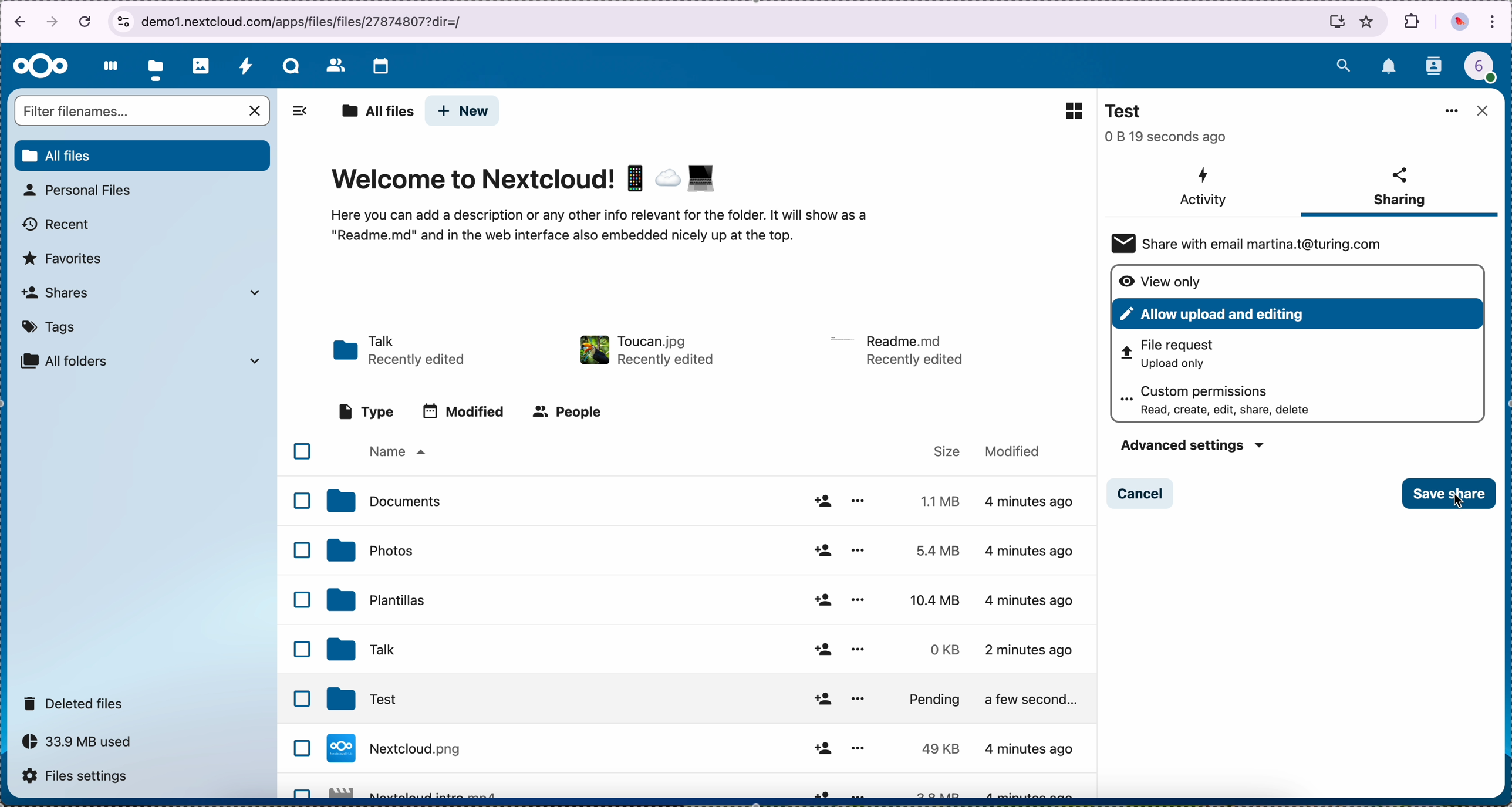 This screenshot has height=807, width=1512. What do you see at coordinates (141, 361) in the screenshot?
I see `all folders` at bounding box center [141, 361].